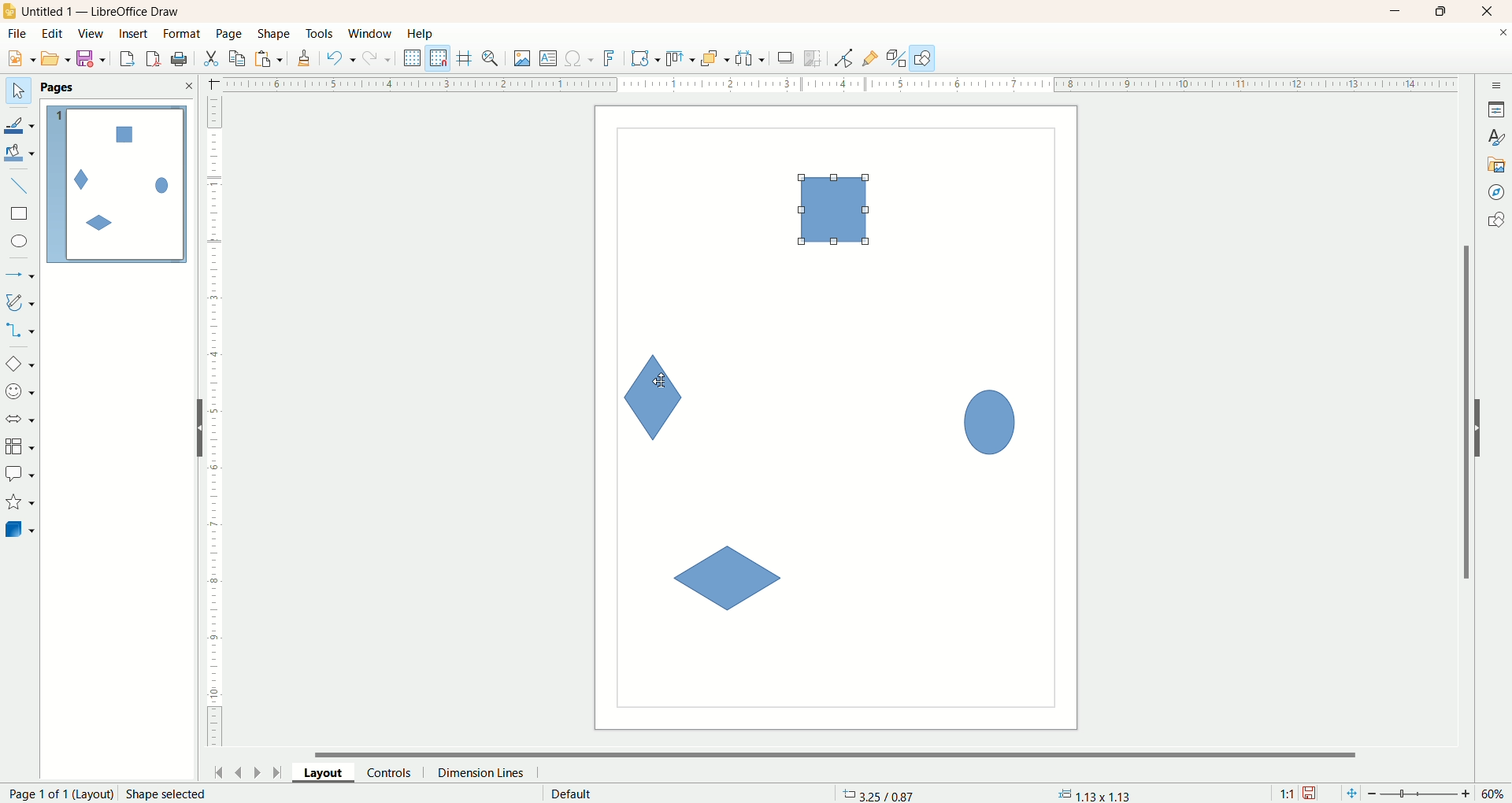 The width and height of the screenshot is (1512, 803). What do you see at coordinates (135, 34) in the screenshot?
I see `insert` at bounding box center [135, 34].